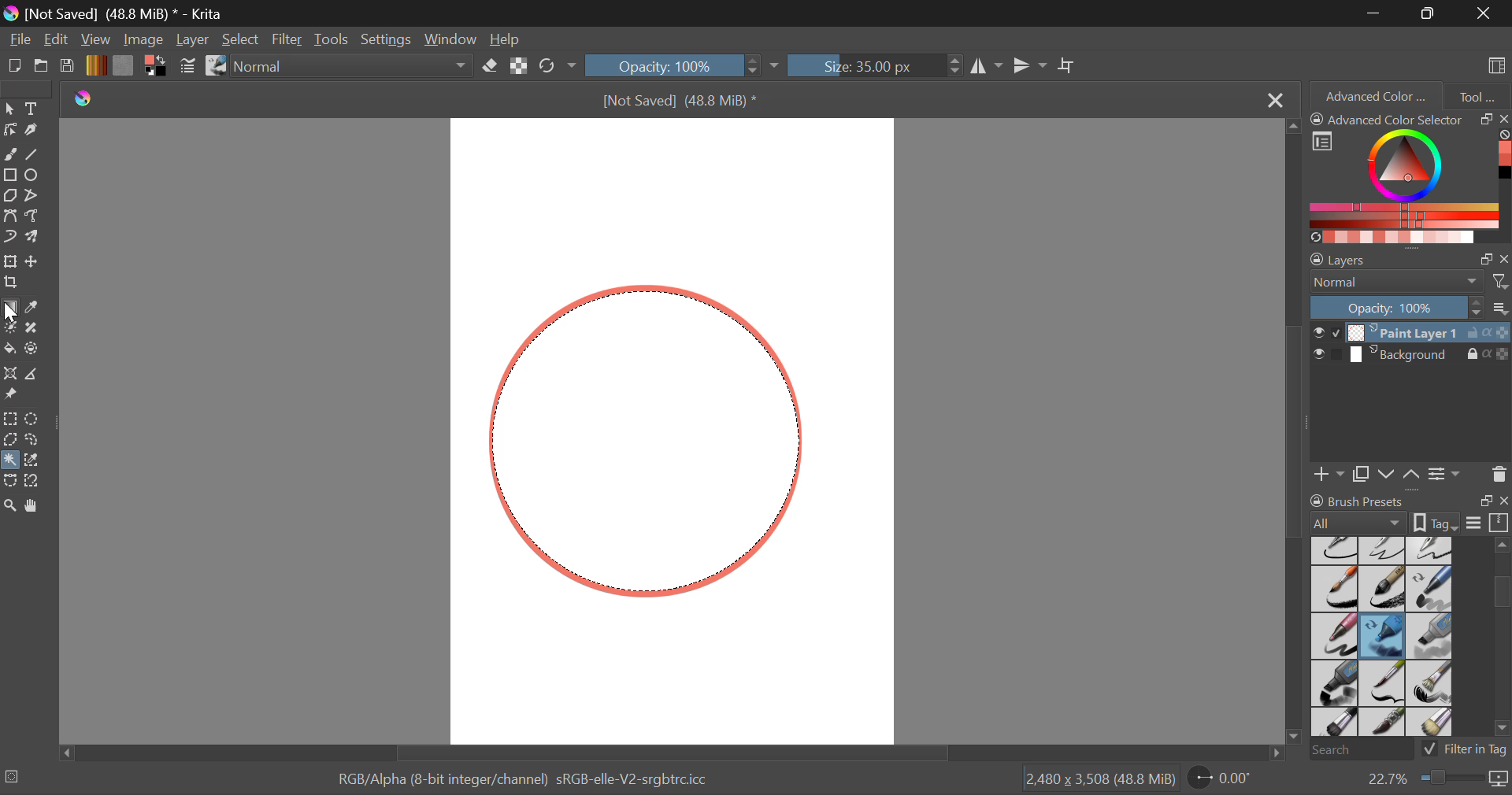 This screenshot has width=1512, height=795. I want to click on Refresh, so click(551, 67).